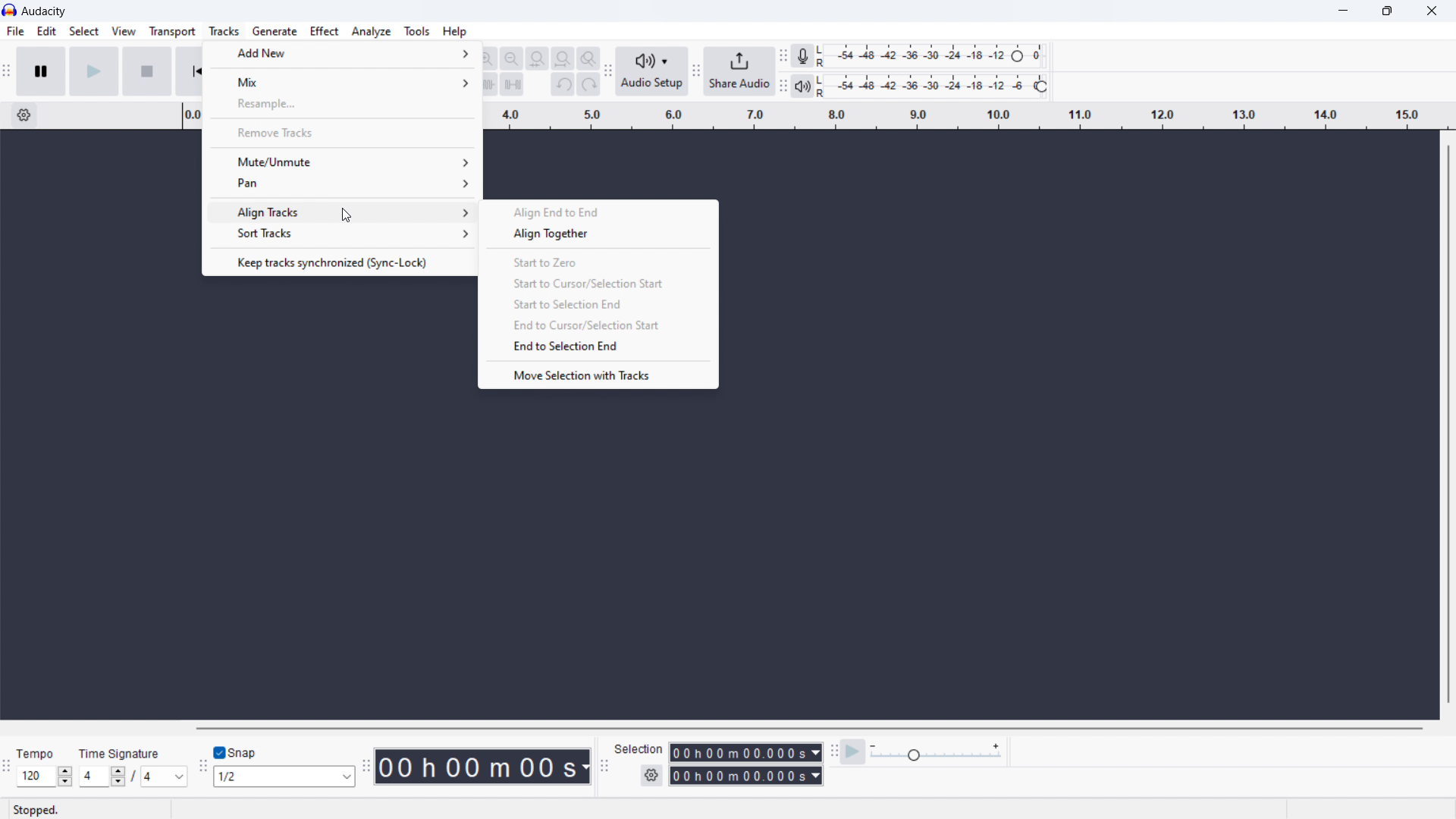 The image size is (1456, 819). Describe the element at coordinates (934, 56) in the screenshot. I see `recording level` at that location.